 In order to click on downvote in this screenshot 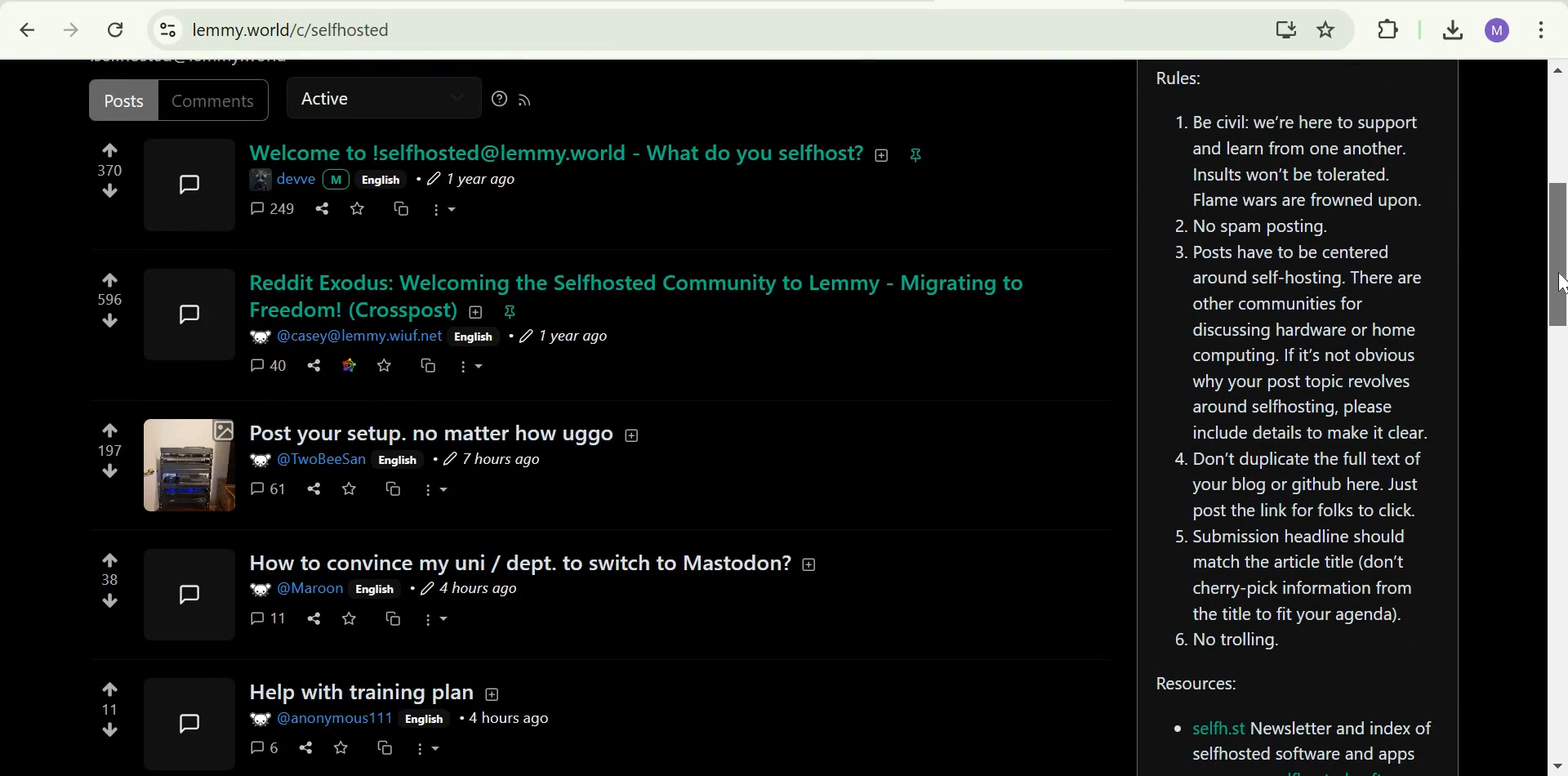, I will do `click(109, 191)`.